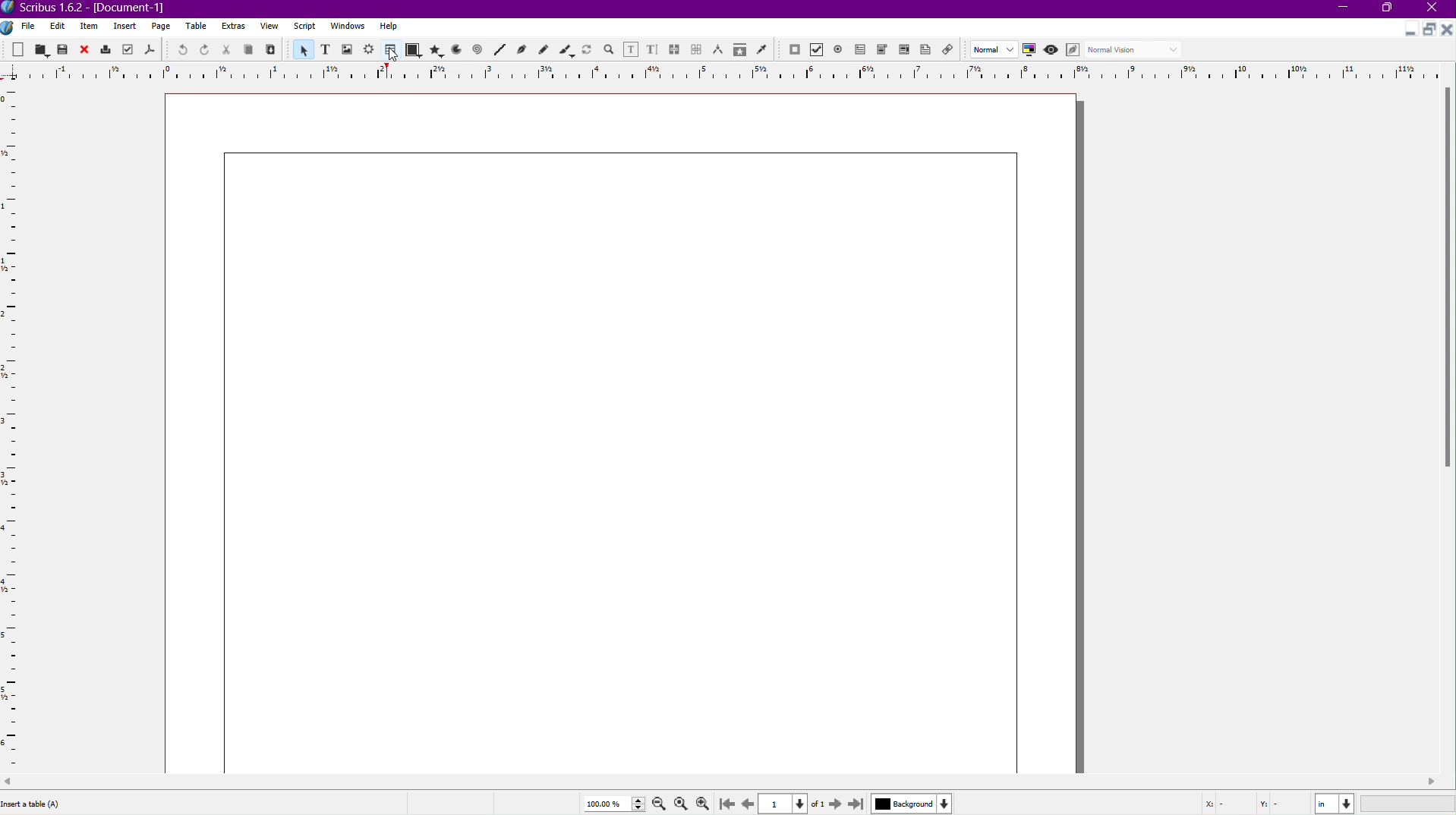 This screenshot has width=1456, height=815. Describe the element at coordinates (611, 802) in the screenshot. I see `Zoom Value` at that location.